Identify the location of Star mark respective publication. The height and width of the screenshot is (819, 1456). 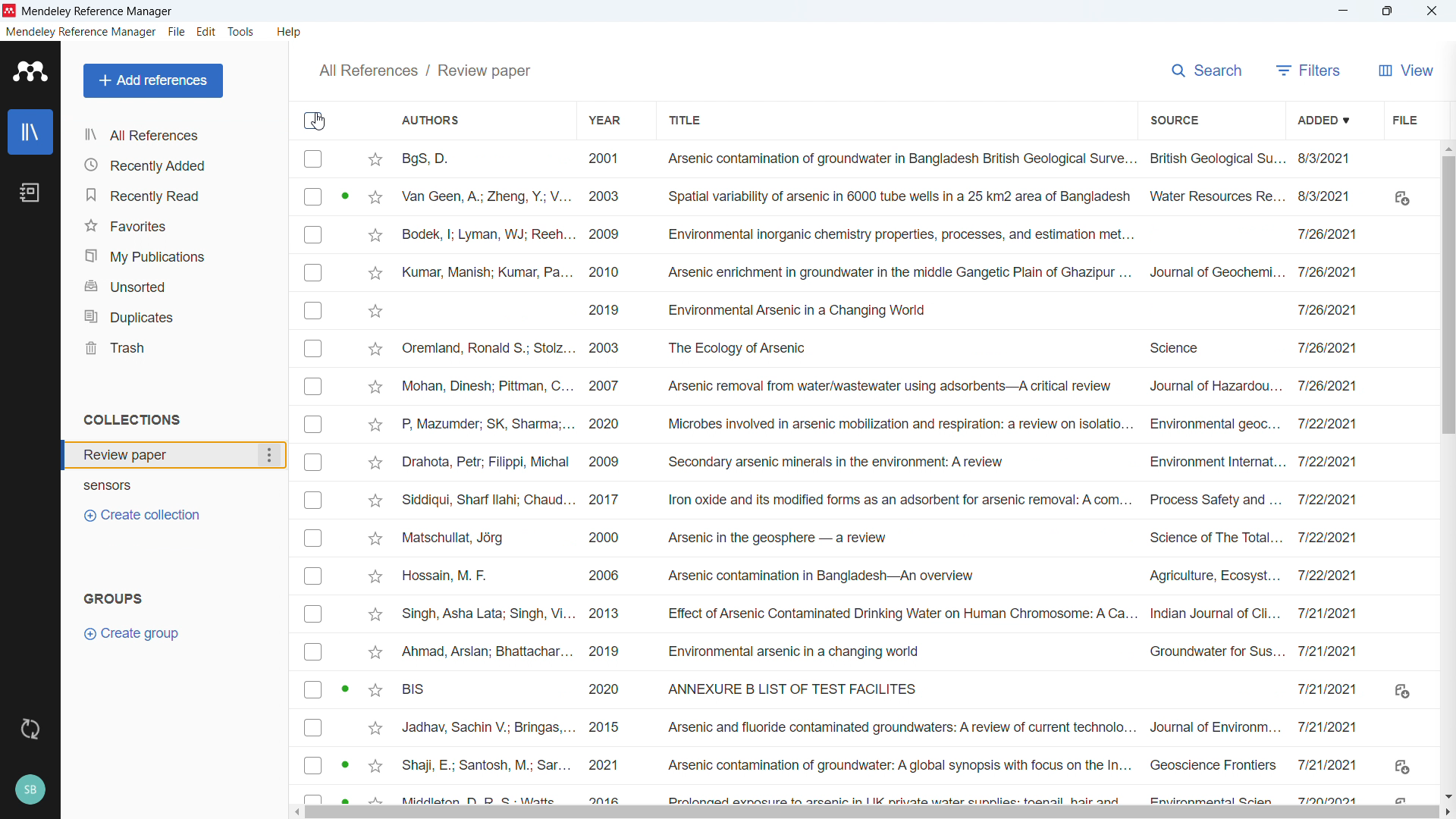
(376, 576).